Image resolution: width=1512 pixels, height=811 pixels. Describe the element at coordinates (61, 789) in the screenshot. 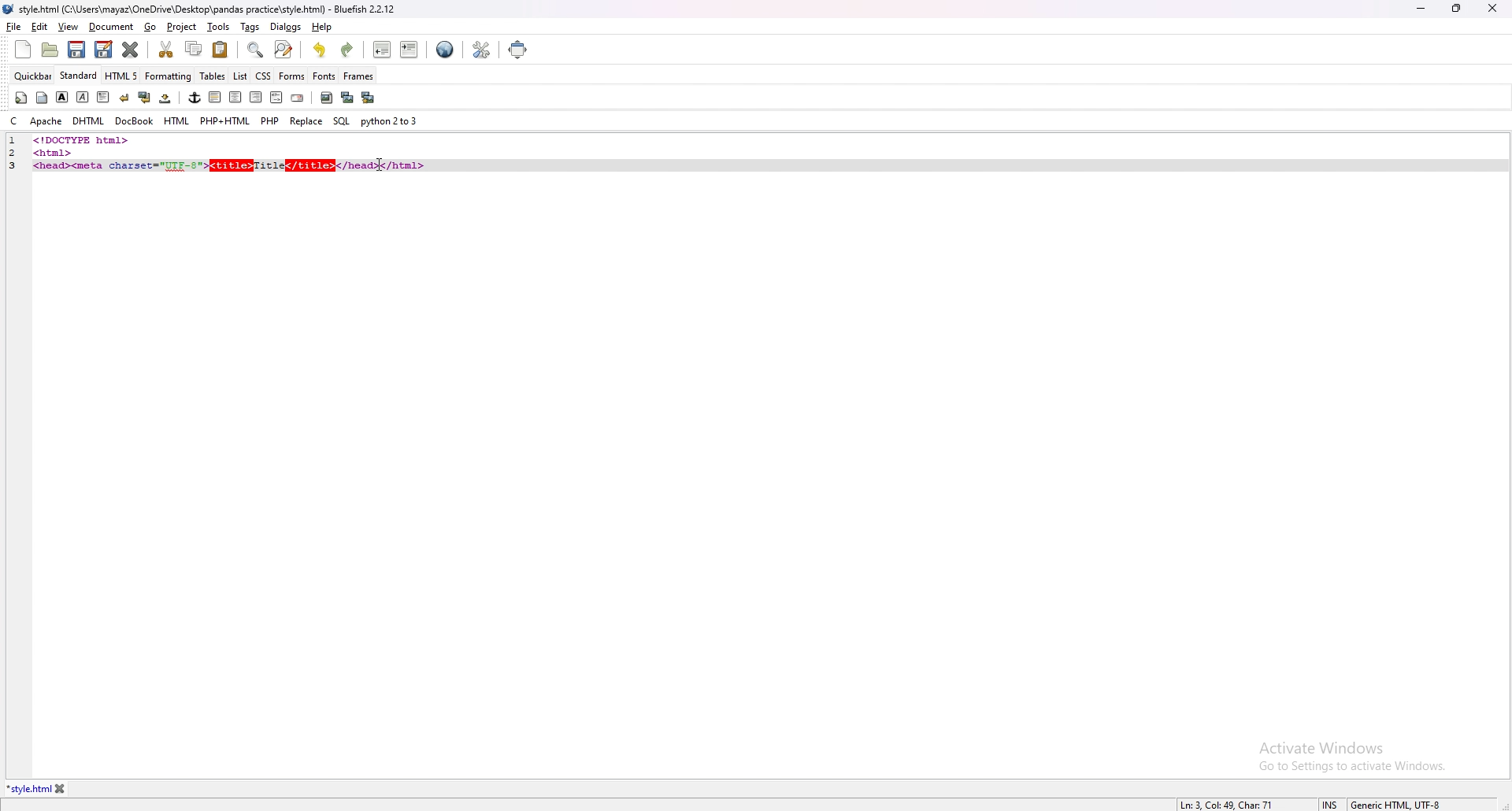

I see `close tab` at that location.